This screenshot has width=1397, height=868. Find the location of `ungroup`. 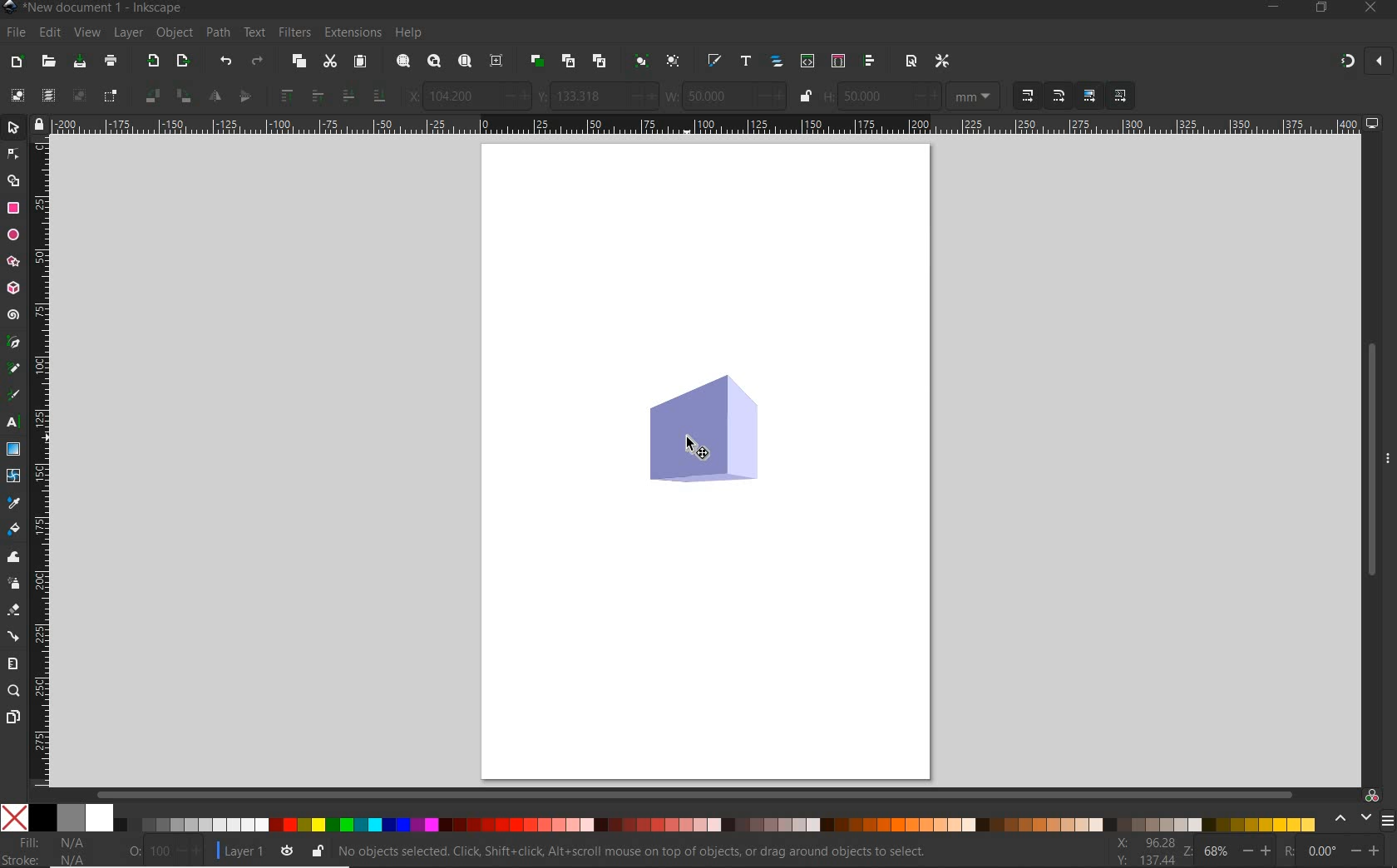

ungroup is located at coordinates (675, 62).